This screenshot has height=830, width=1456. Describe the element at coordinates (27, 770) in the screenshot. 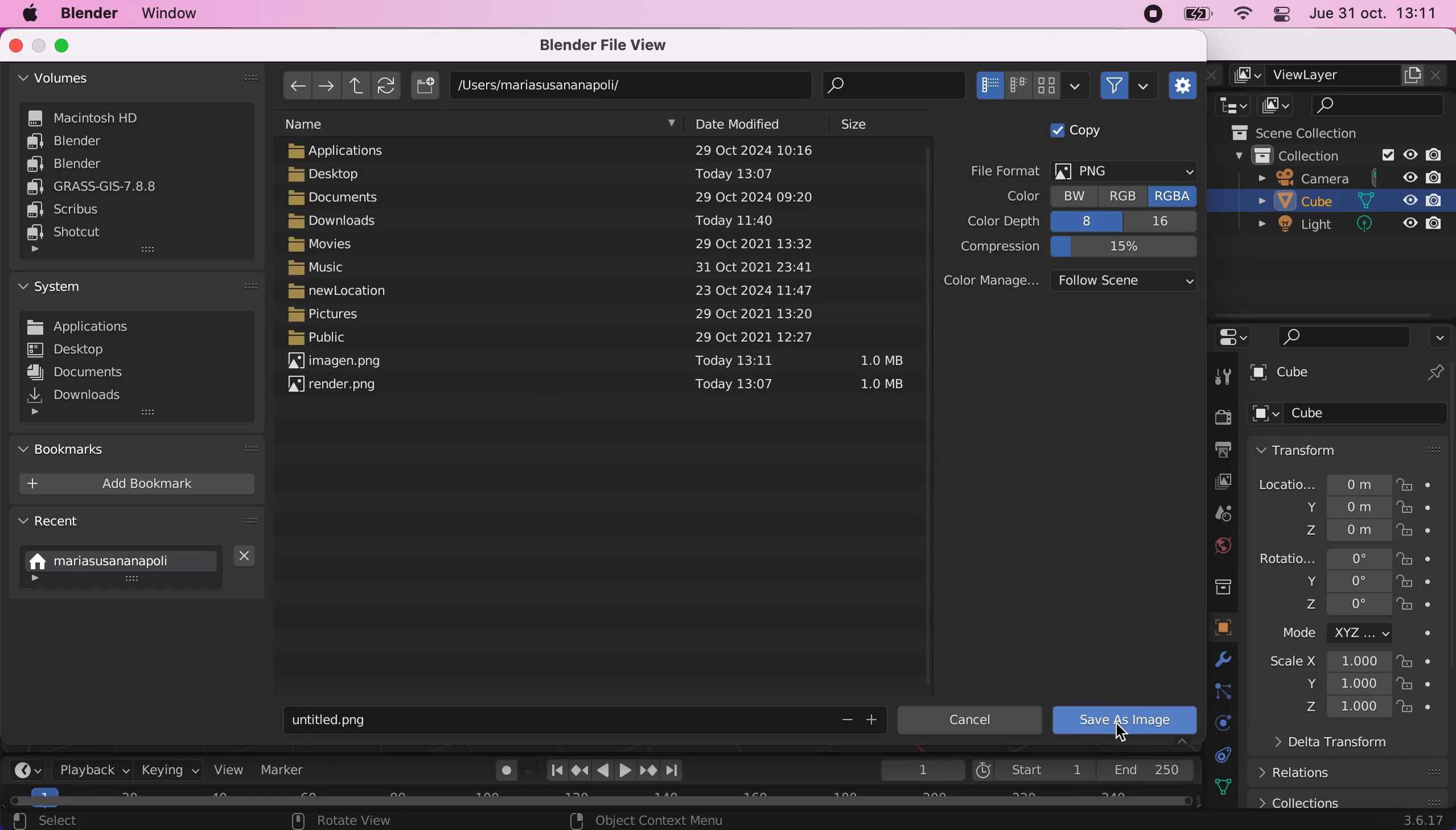

I see `editor type` at that location.